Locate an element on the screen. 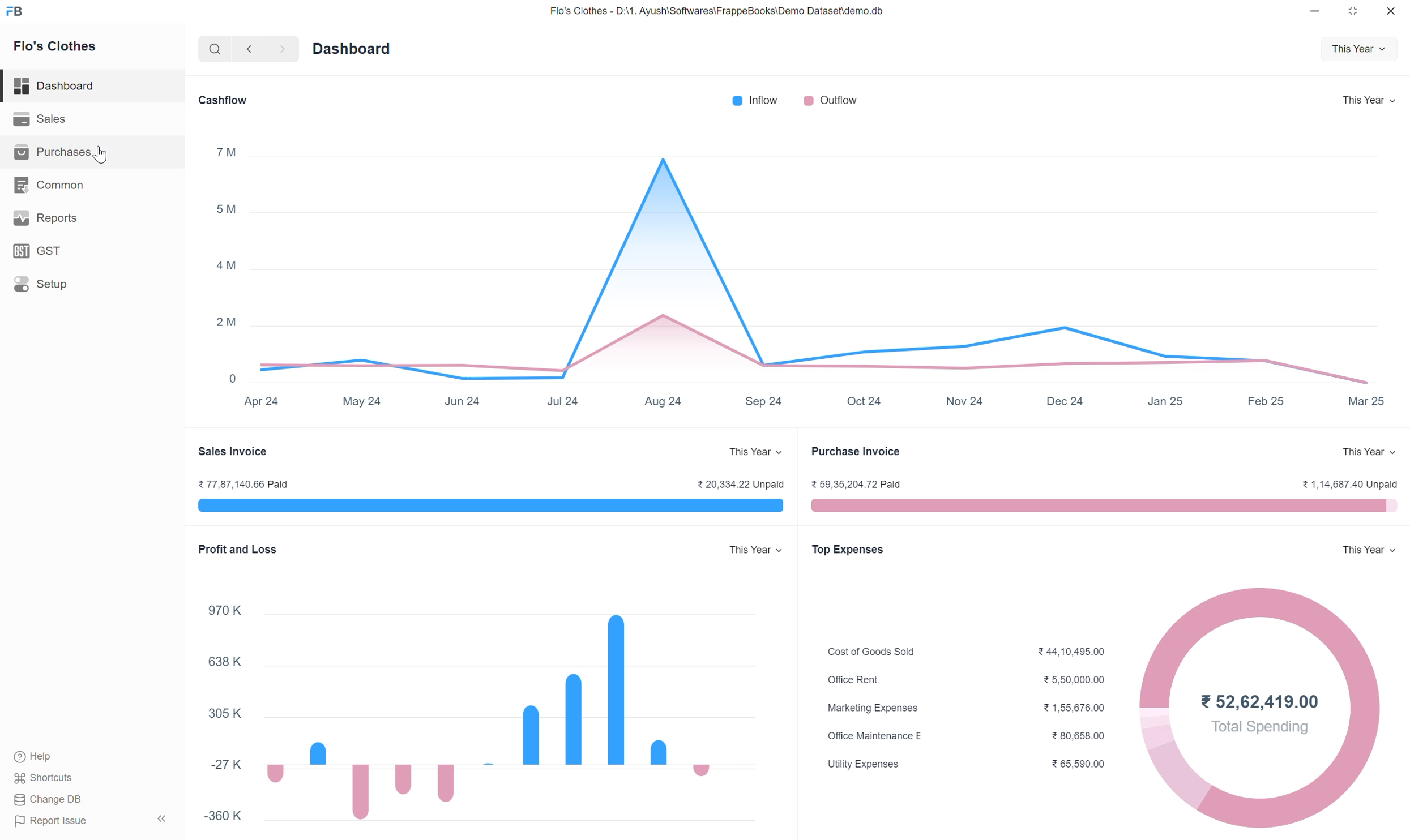 The image size is (1410, 840). sales invoice is located at coordinates (232, 452).